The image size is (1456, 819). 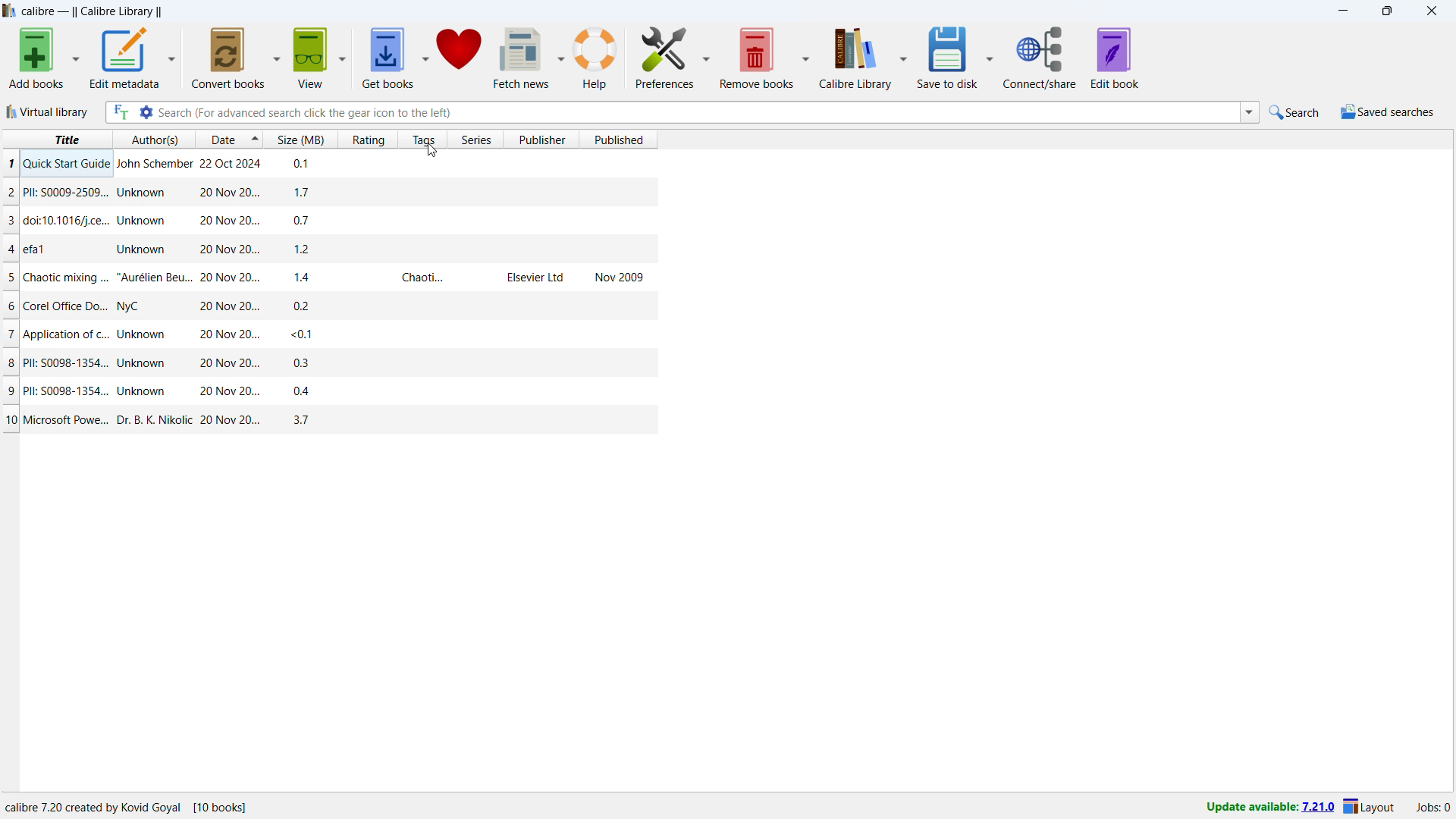 What do you see at coordinates (756, 57) in the screenshot?
I see `` at bounding box center [756, 57].